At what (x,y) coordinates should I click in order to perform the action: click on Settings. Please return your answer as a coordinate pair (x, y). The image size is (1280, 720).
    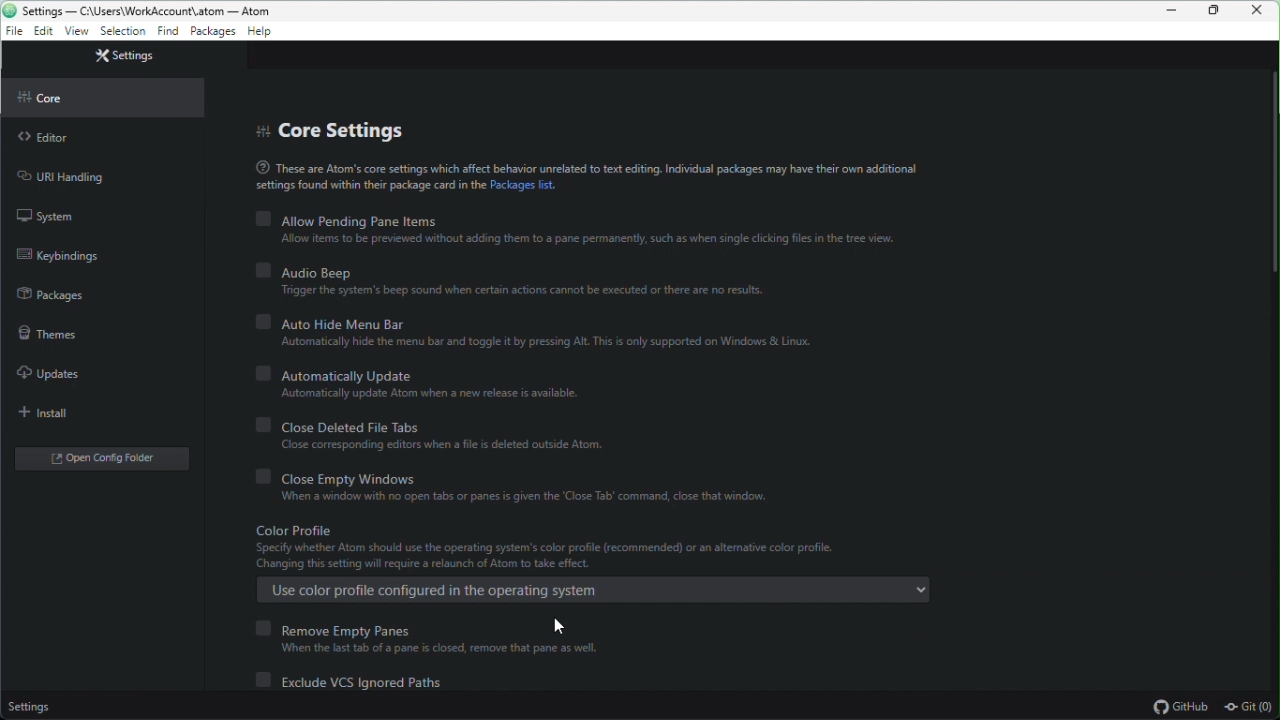
    Looking at the image, I should click on (127, 55).